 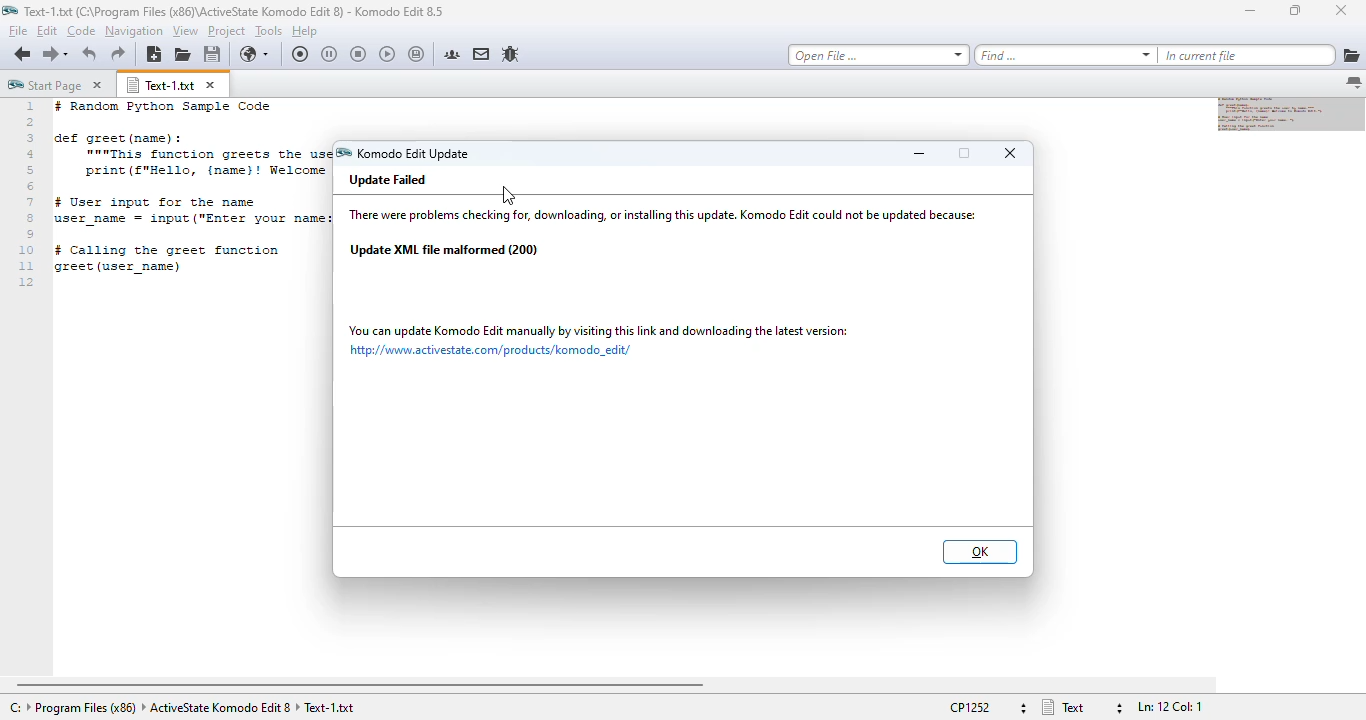 I want to click on file encoding, so click(x=987, y=707).